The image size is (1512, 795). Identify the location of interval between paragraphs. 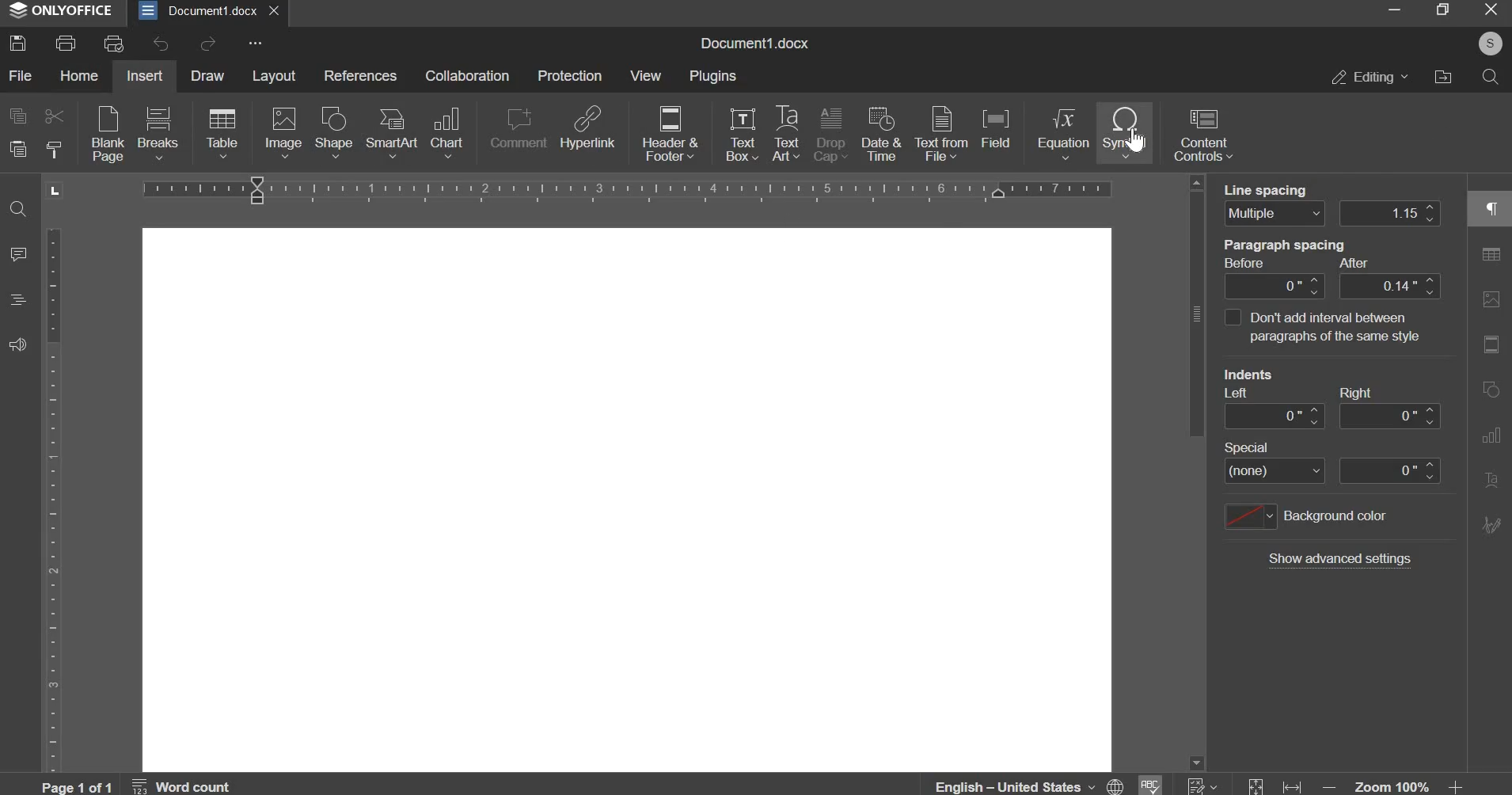
(1231, 318).